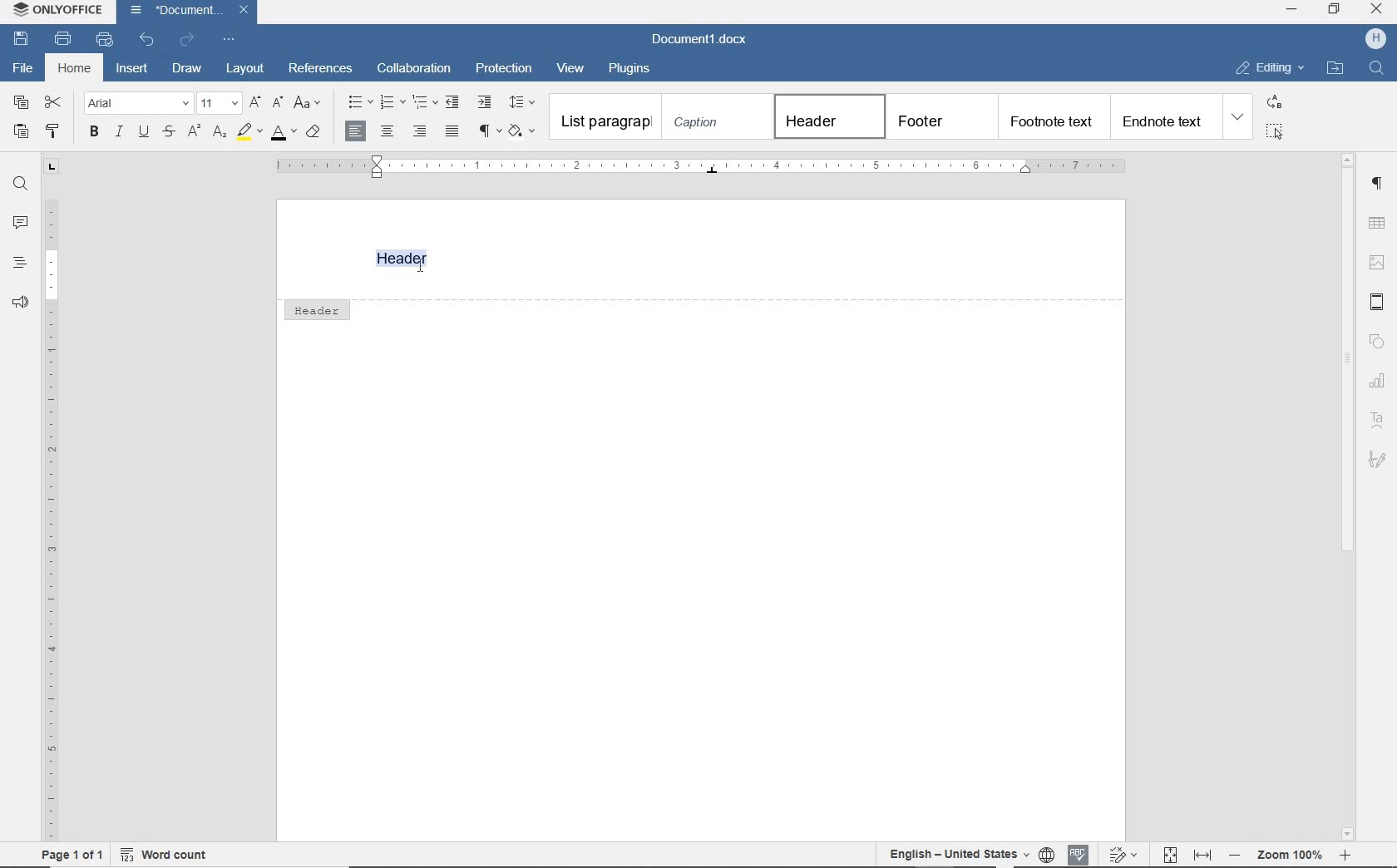 The width and height of the screenshot is (1397, 868). Describe the element at coordinates (316, 308) in the screenshot. I see `header` at that location.